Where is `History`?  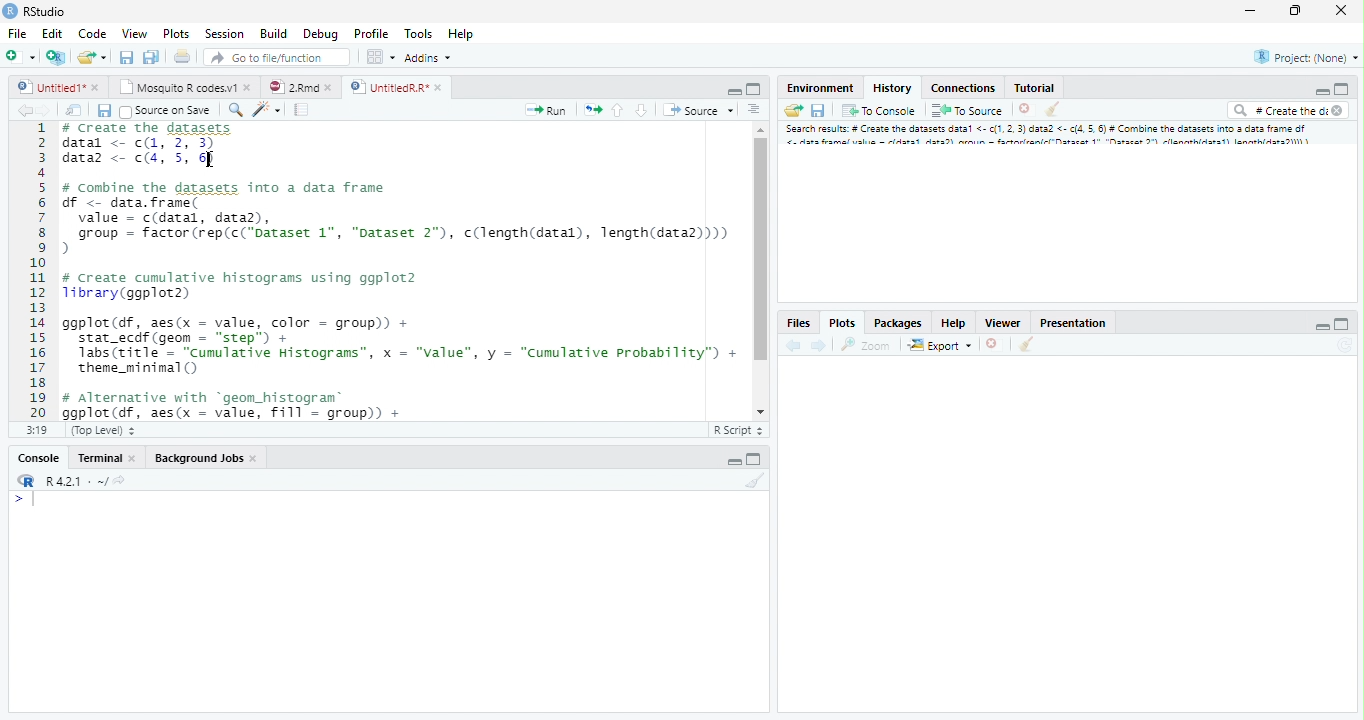
History is located at coordinates (892, 87).